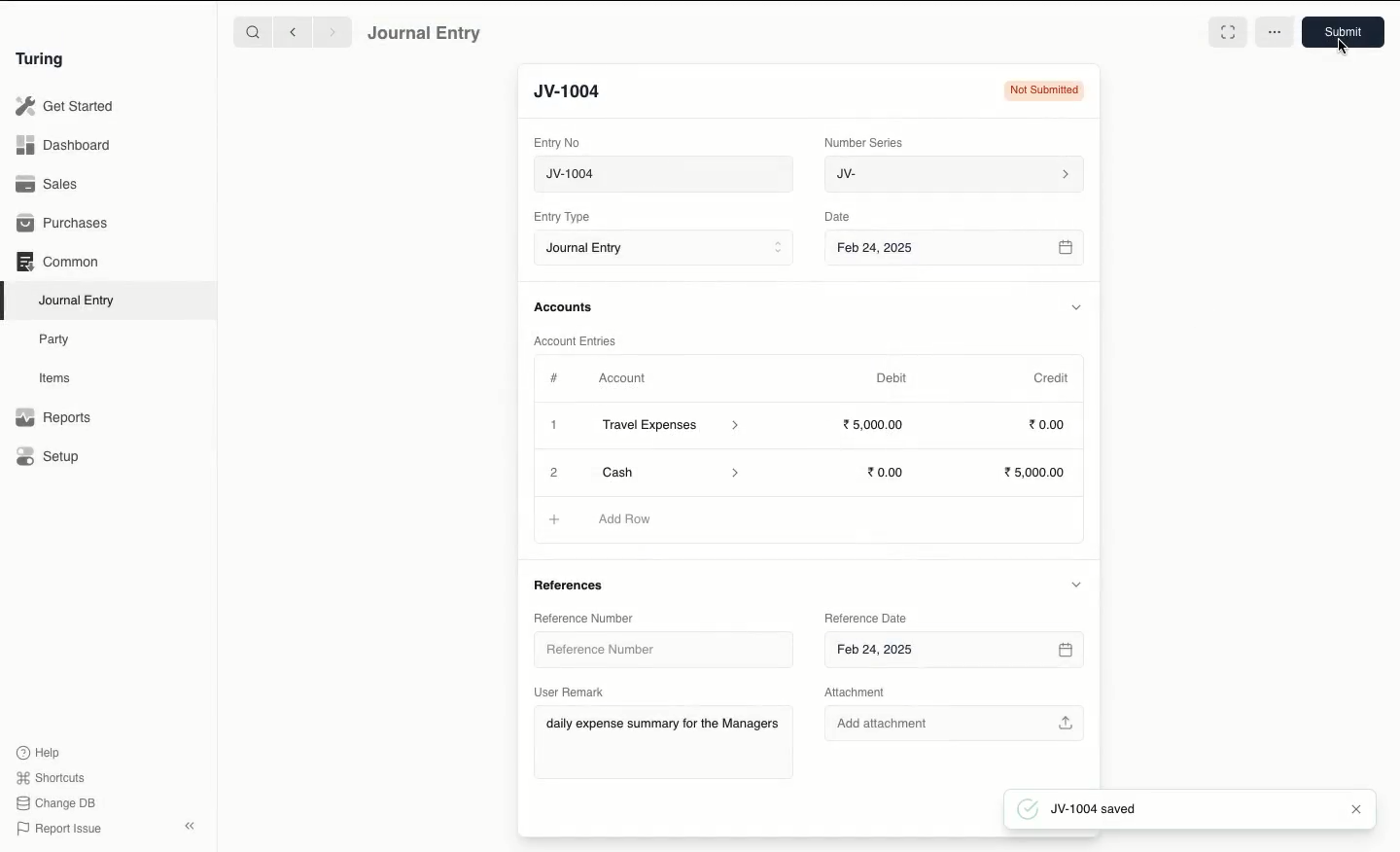  I want to click on Hide, so click(1074, 584).